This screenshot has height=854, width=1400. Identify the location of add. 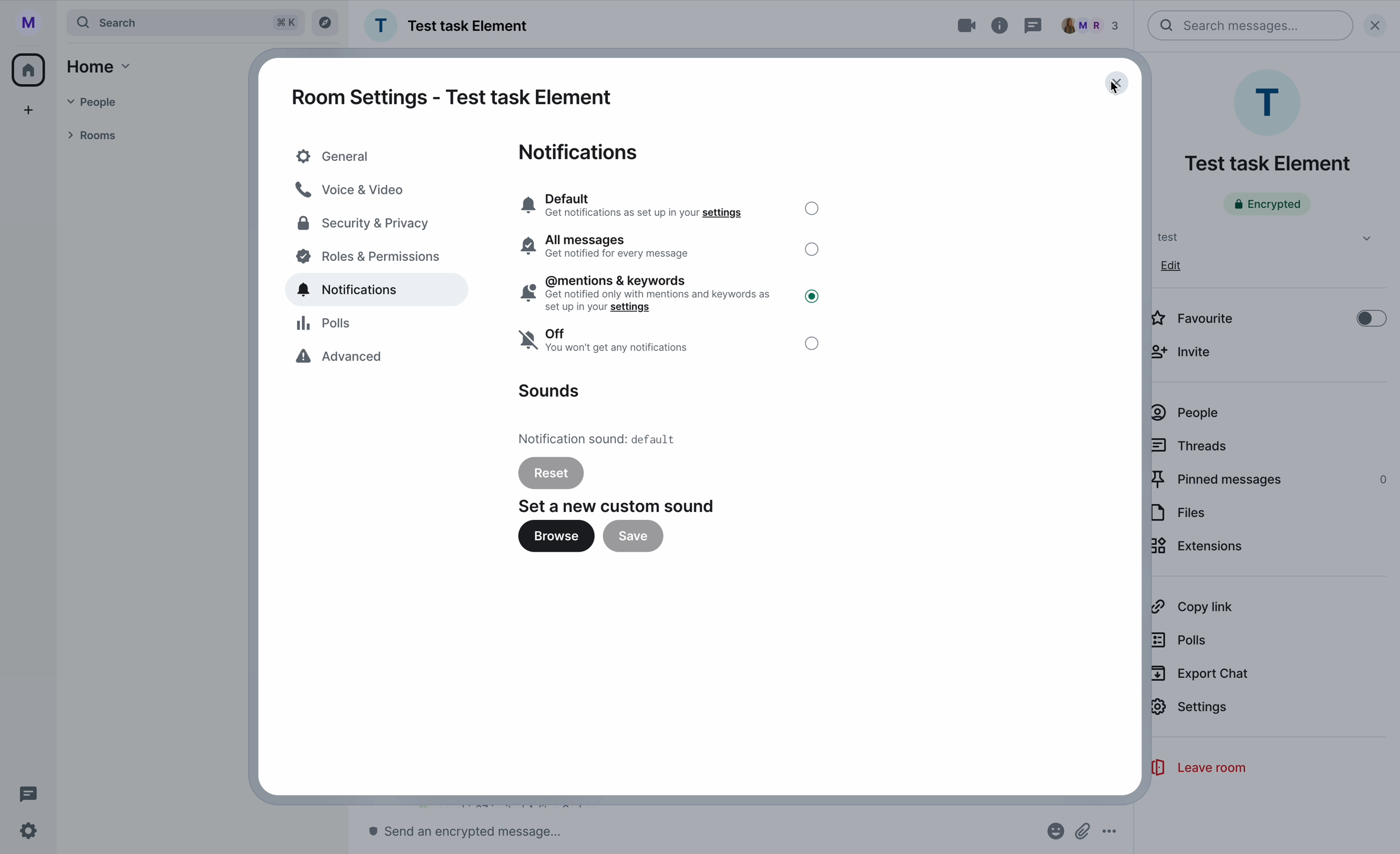
(29, 110).